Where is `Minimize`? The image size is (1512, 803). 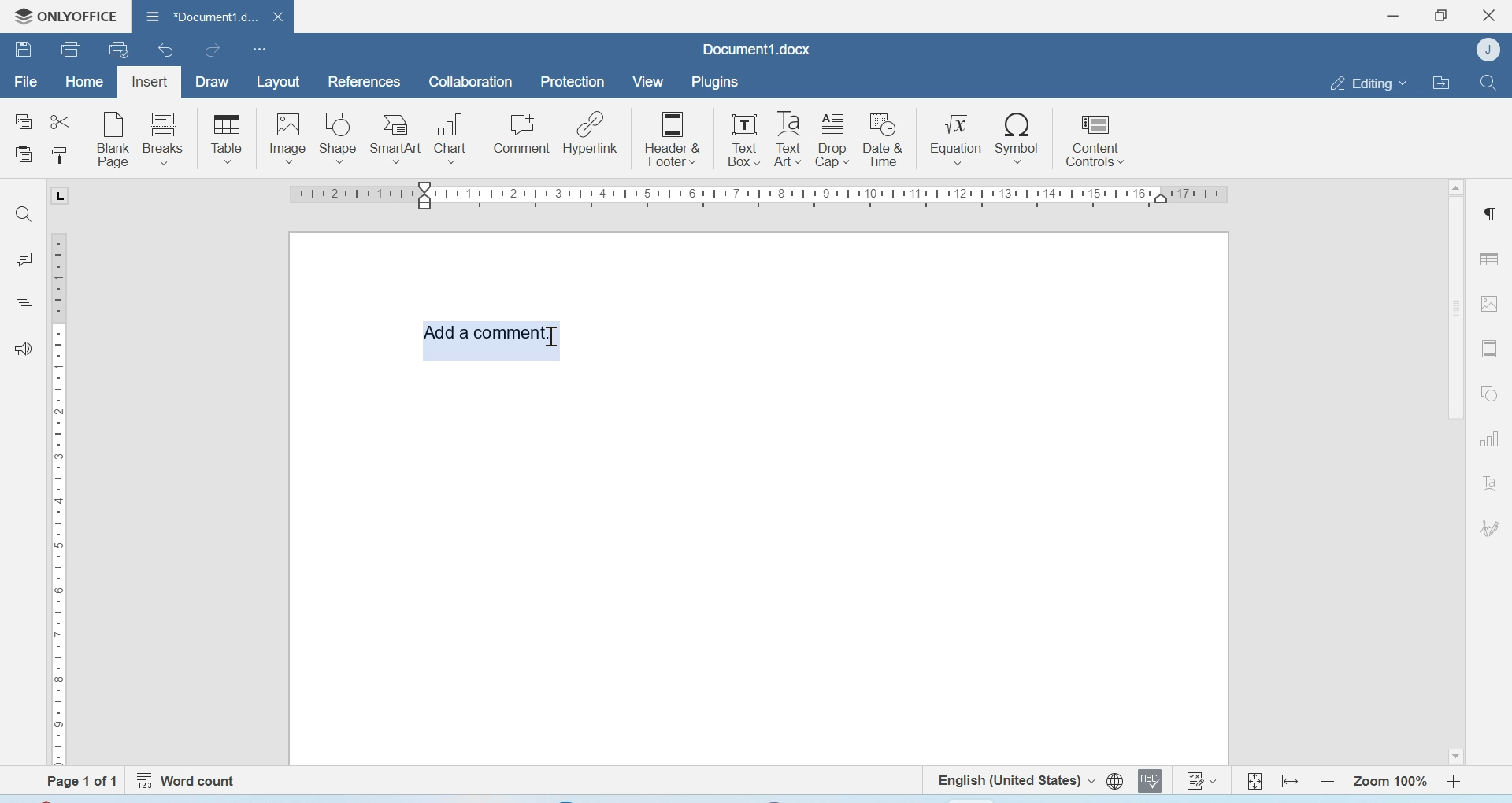 Minimize is located at coordinates (1395, 16).